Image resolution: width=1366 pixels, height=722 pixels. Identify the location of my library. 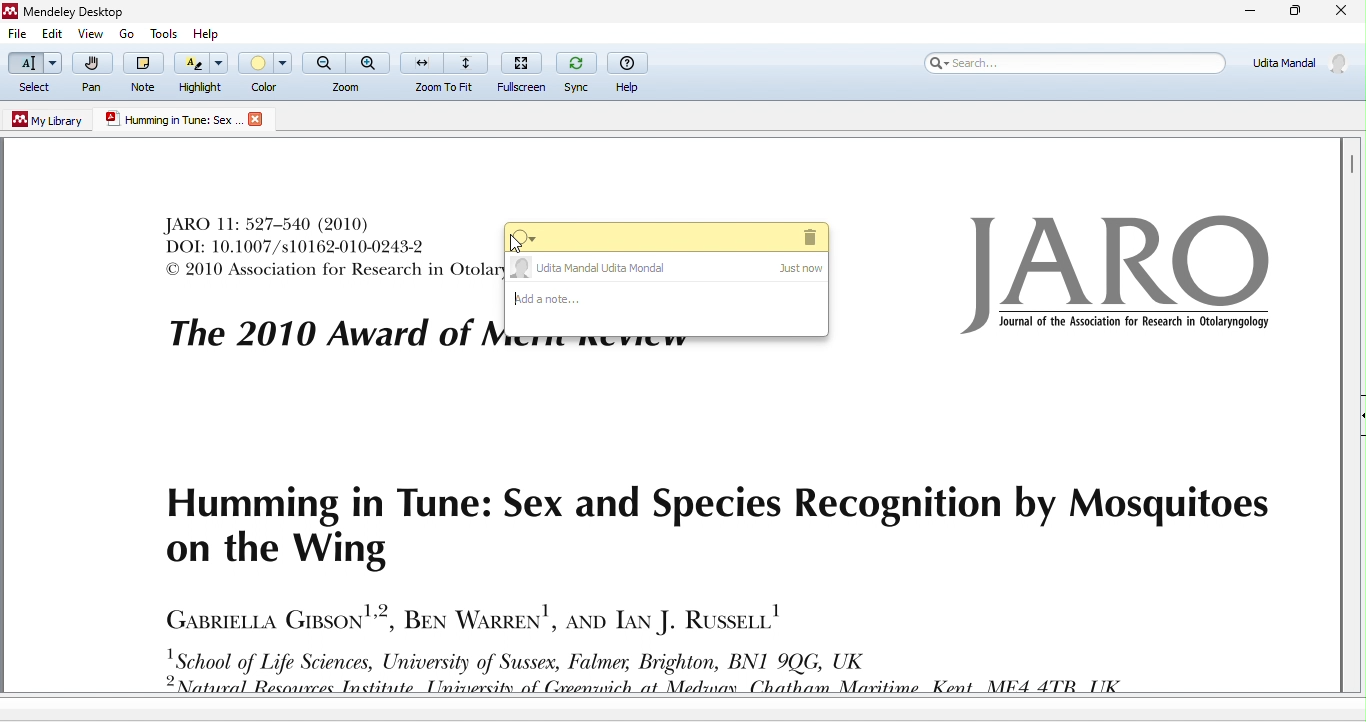
(44, 122).